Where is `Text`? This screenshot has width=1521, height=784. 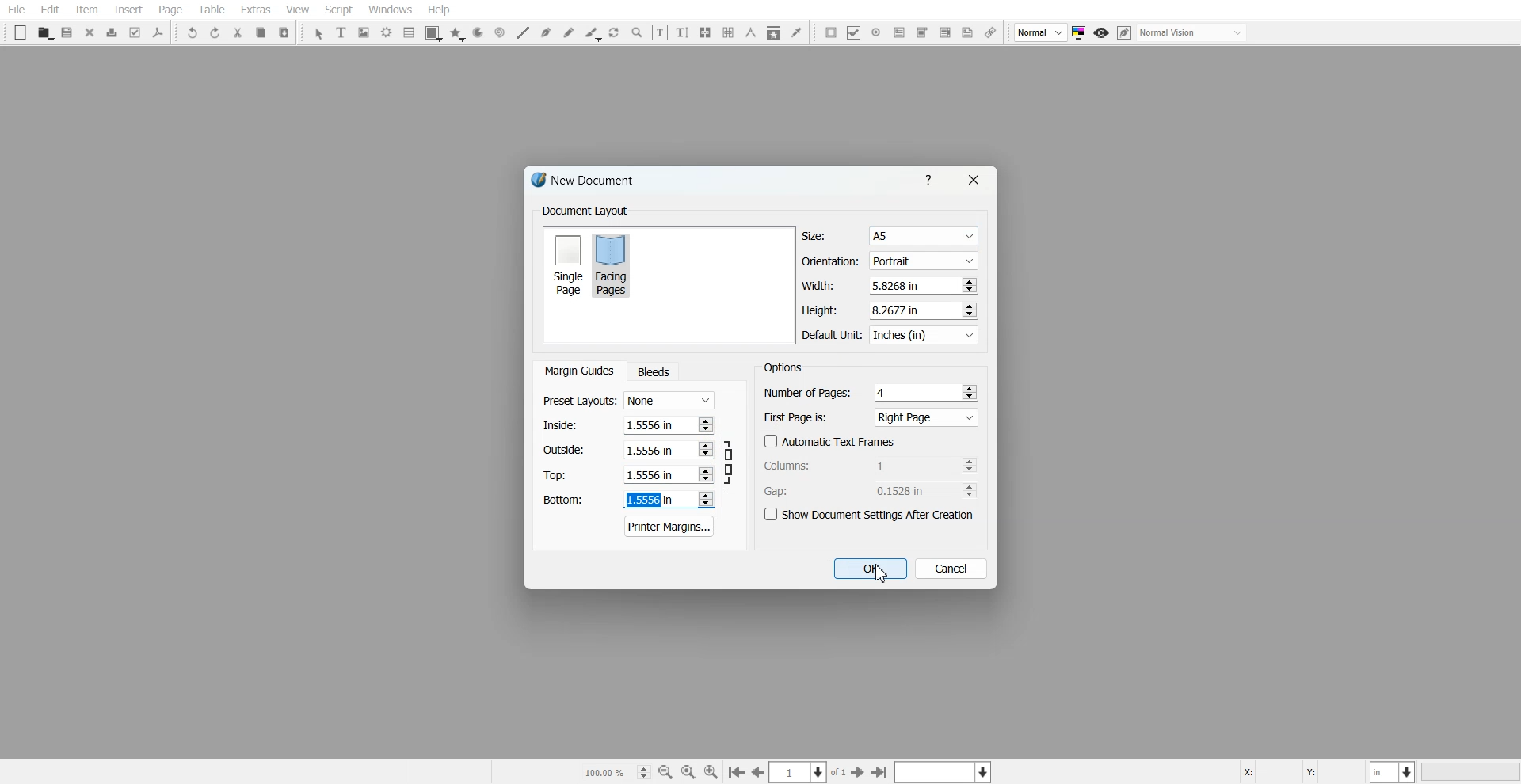 Text is located at coordinates (589, 182).